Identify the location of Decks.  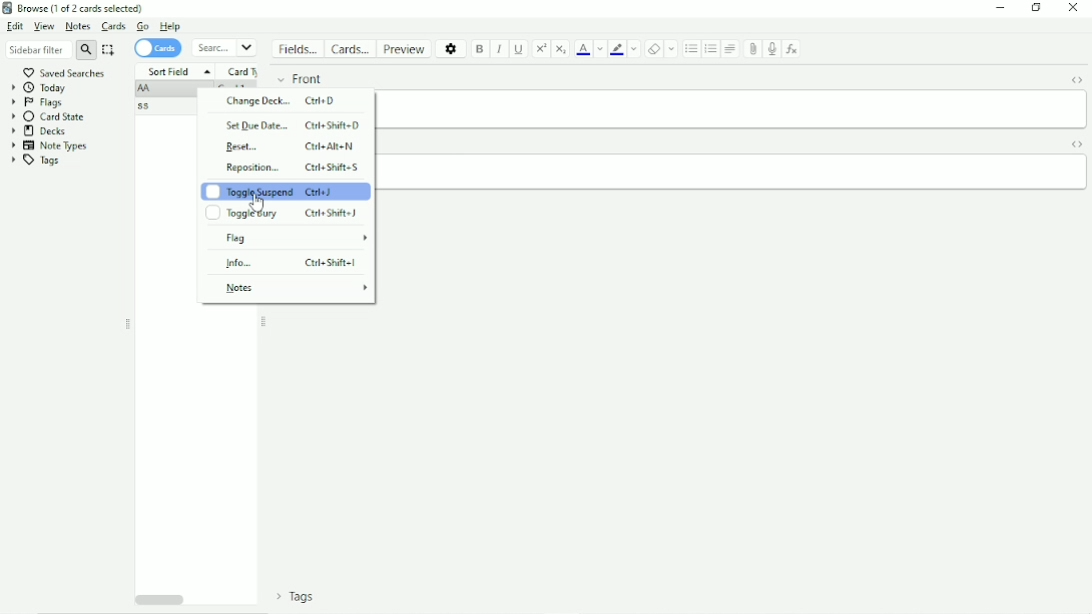
(41, 131).